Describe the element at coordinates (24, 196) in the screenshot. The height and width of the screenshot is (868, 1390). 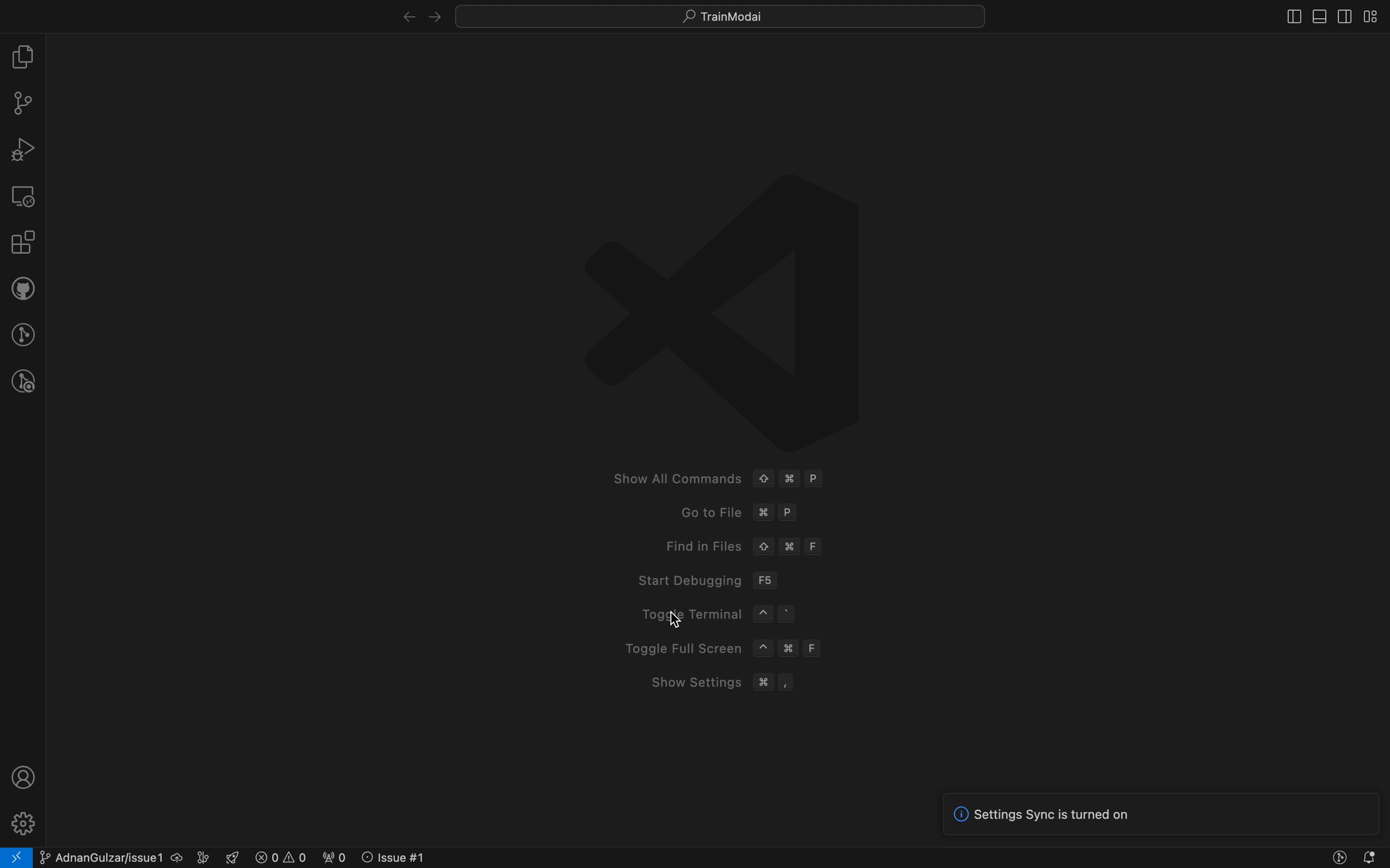
I see `remote` at that location.